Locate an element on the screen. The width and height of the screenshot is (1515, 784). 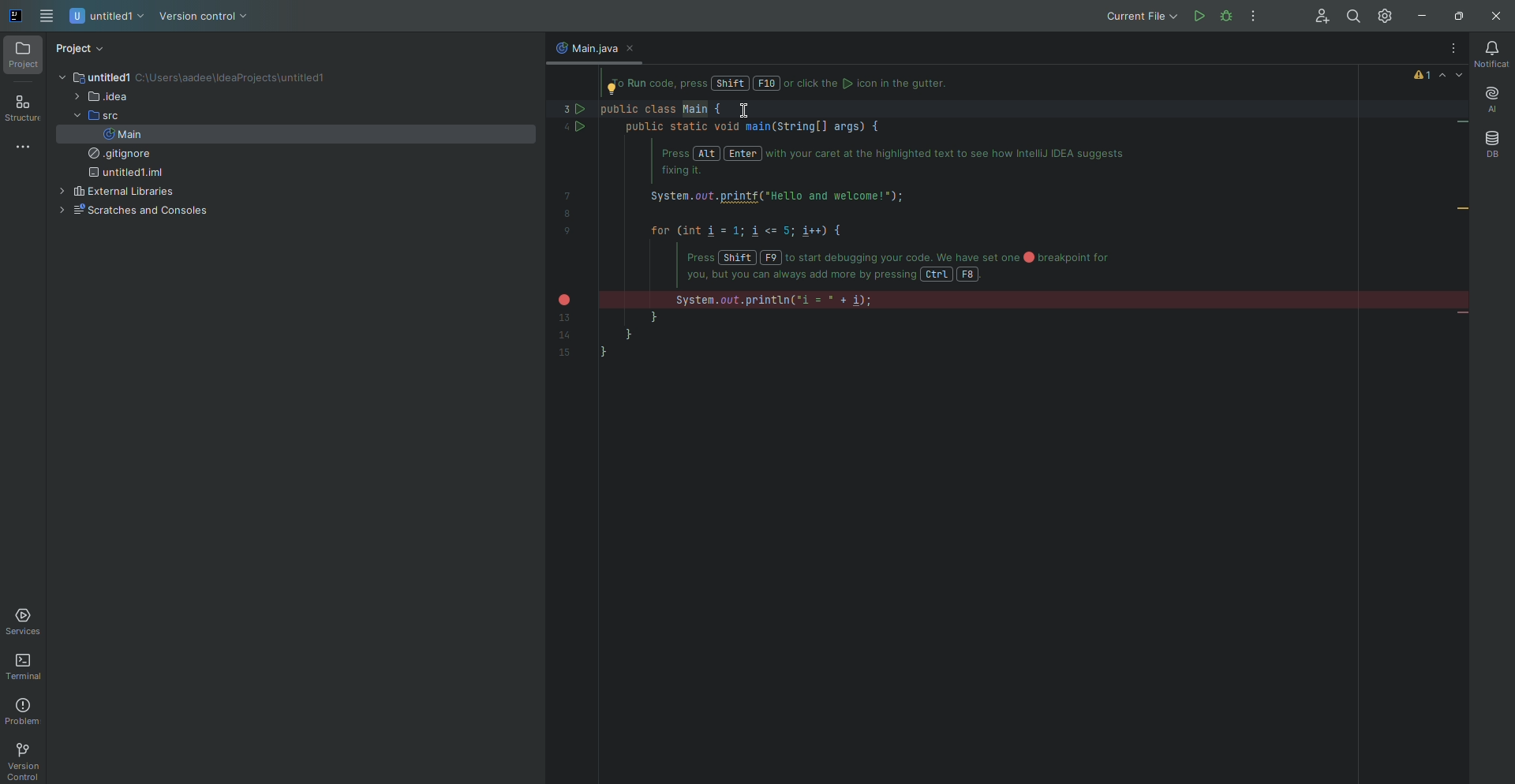
External Libraries is located at coordinates (114, 192).